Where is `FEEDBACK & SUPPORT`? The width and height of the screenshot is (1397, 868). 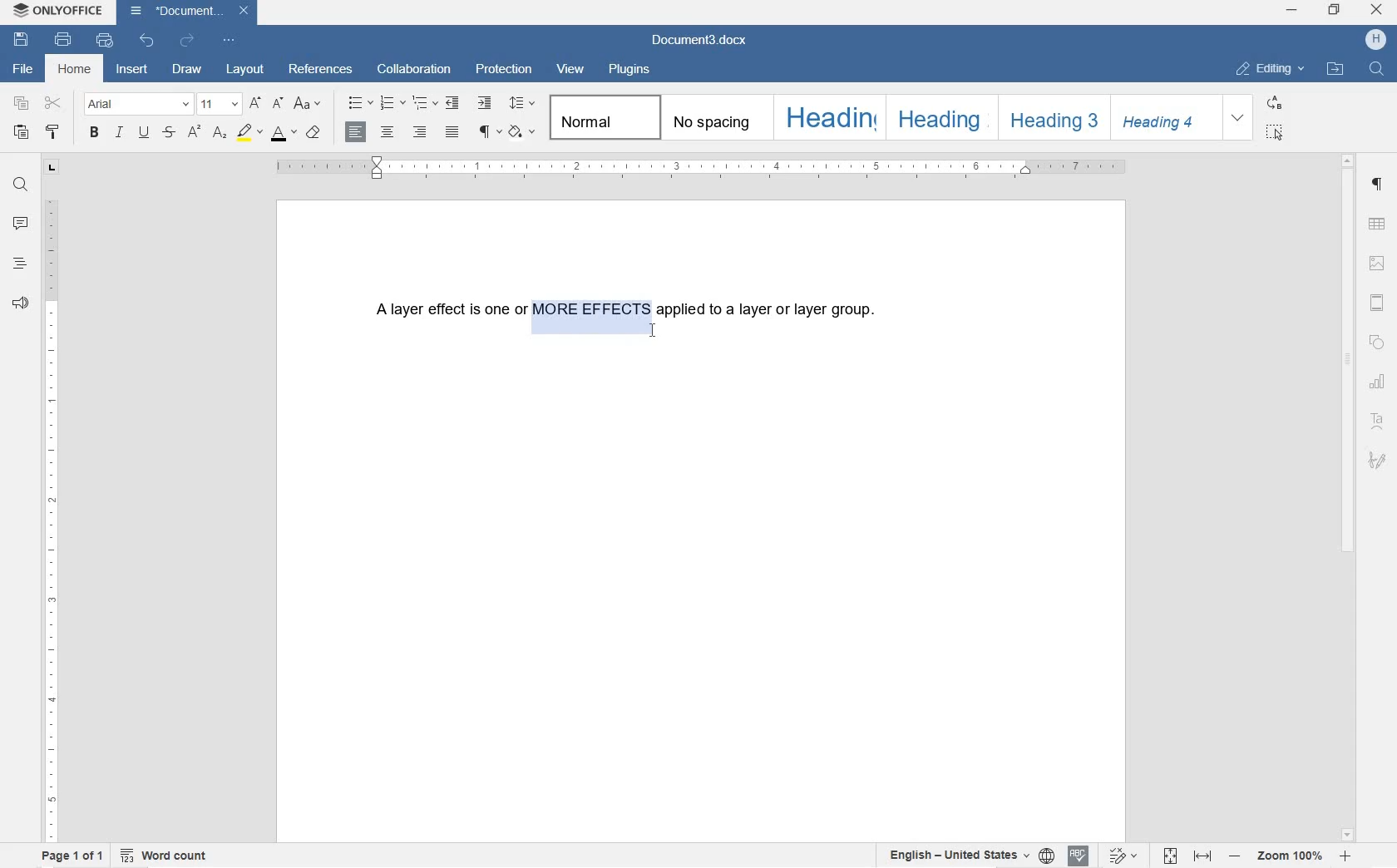 FEEDBACK & SUPPORT is located at coordinates (19, 304).